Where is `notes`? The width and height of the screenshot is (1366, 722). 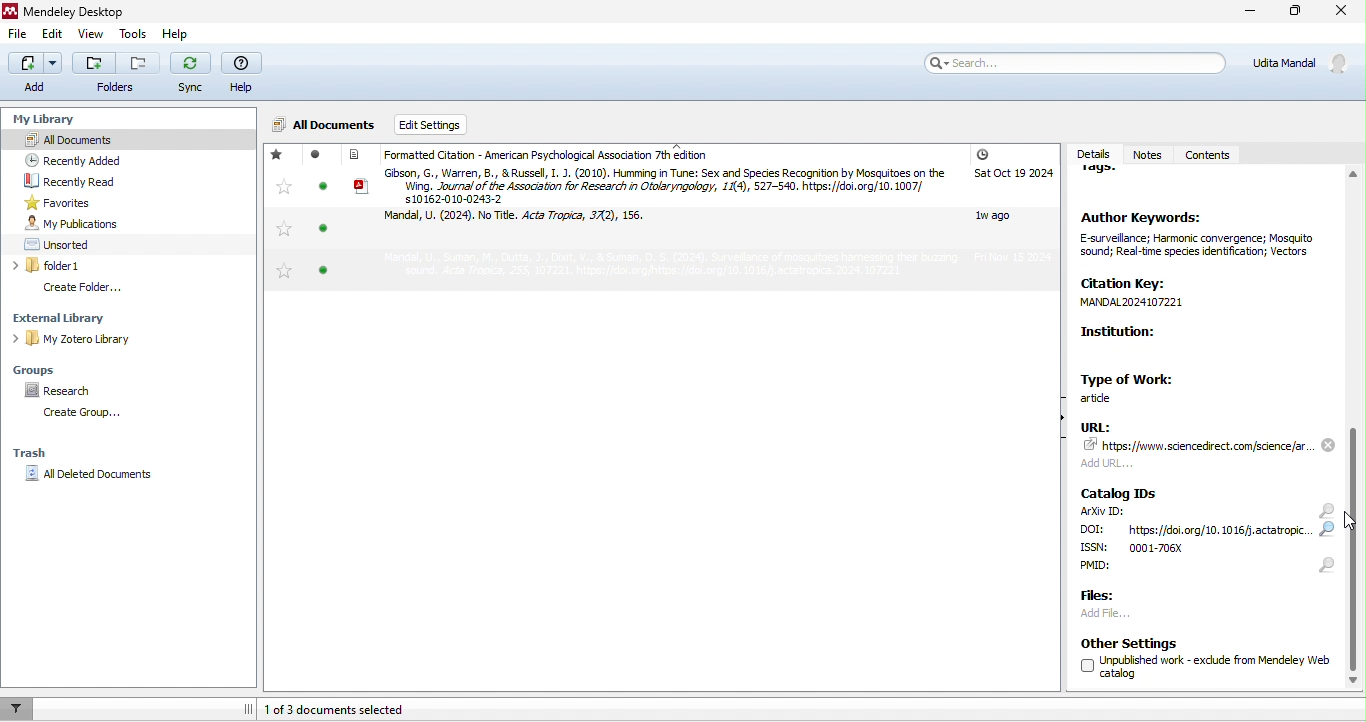 notes is located at coordinates (1147, 147).